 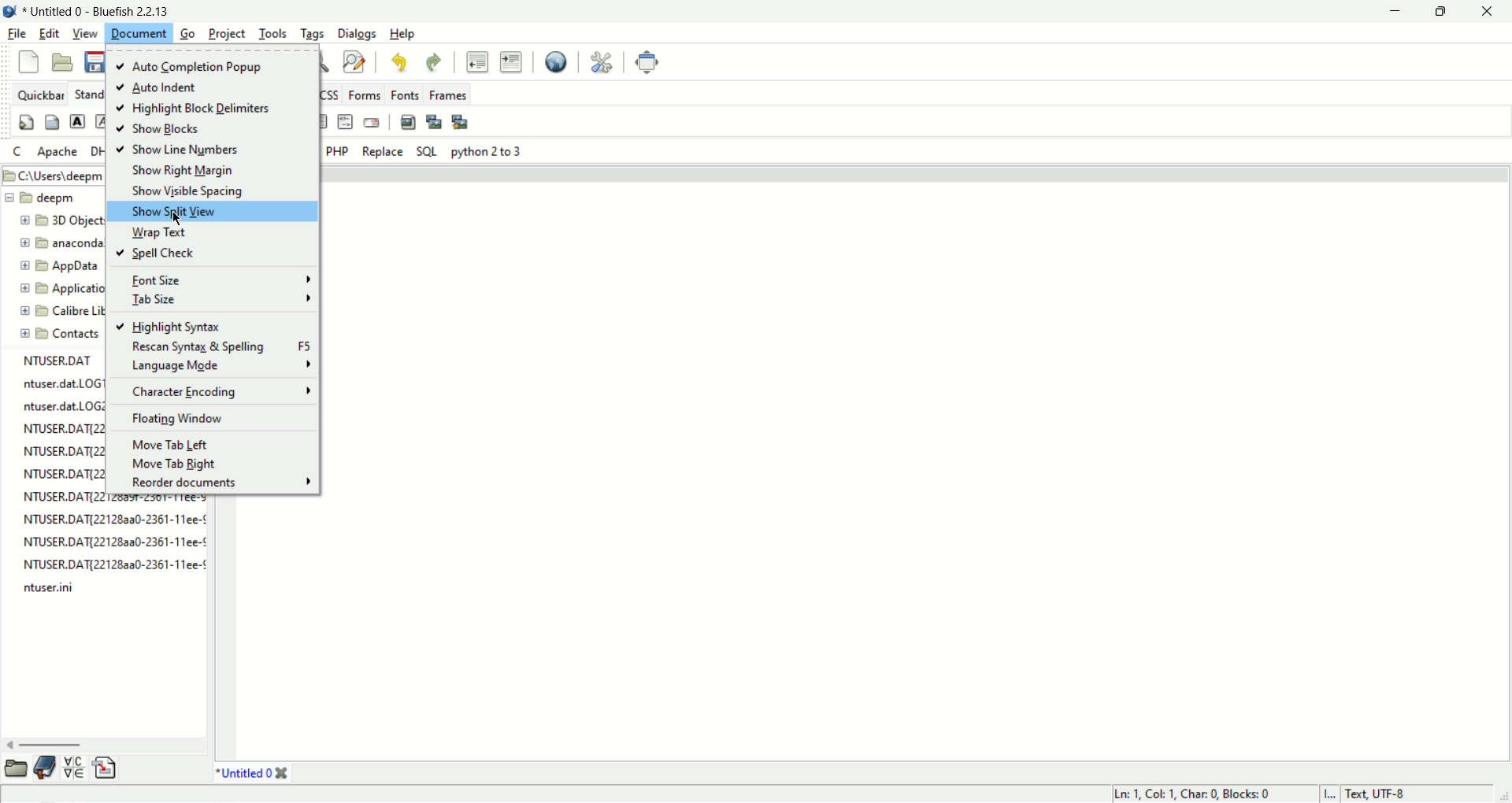 What do you see at coordinates (94, 63) in the screenshot?
I see `save file` at bounding box center [94, 63].